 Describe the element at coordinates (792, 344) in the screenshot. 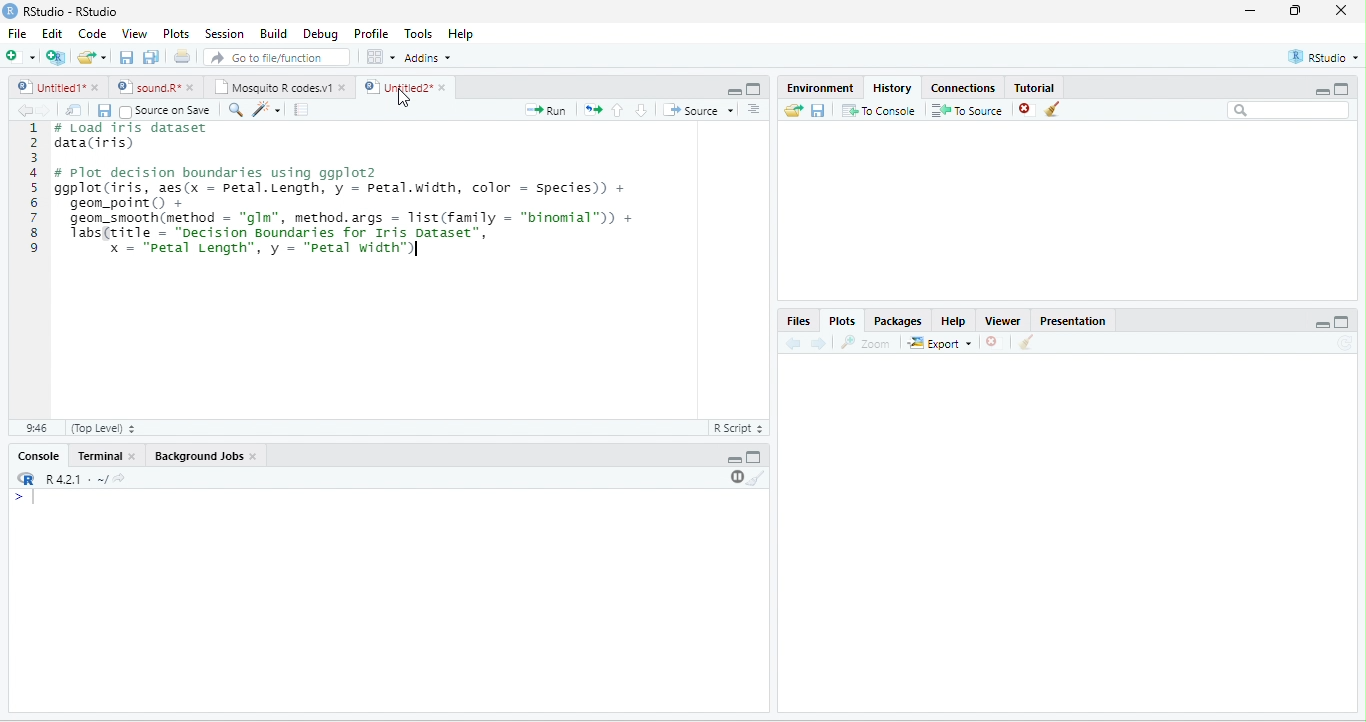

I see `back` at that location.